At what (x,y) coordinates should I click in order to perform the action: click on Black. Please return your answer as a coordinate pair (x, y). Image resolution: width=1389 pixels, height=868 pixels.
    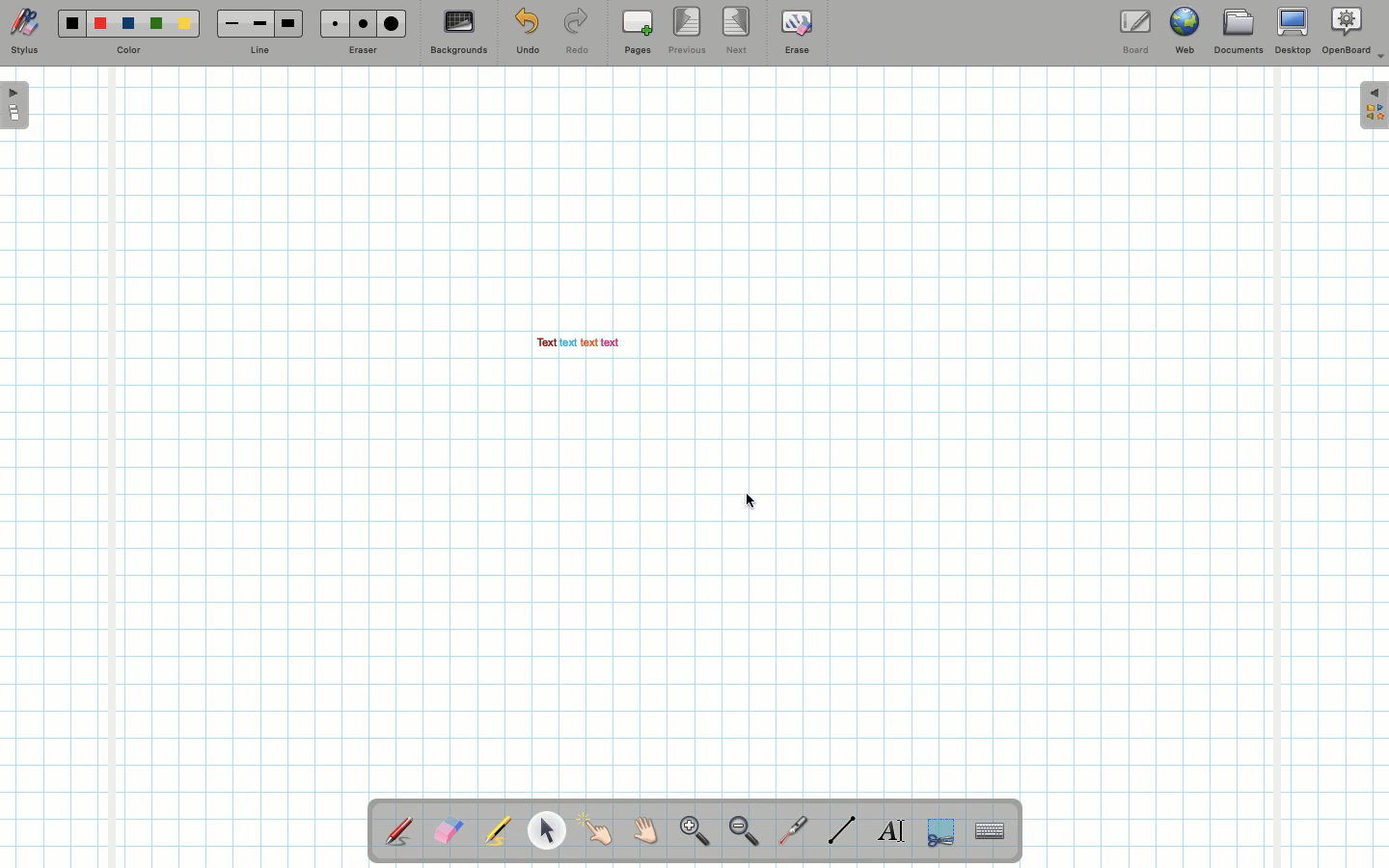
    Looking at the image, I should click on (70, 23).